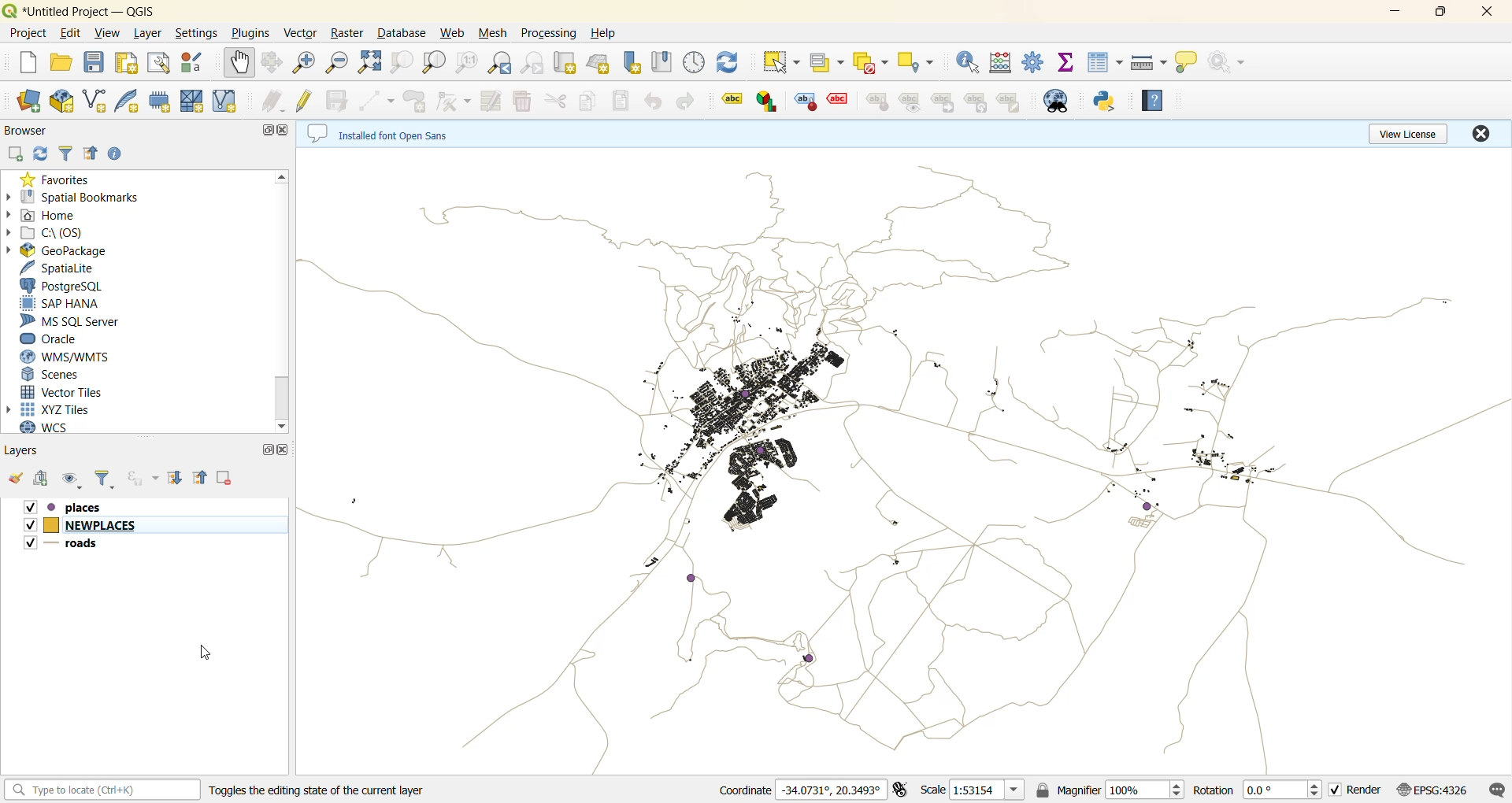 The image size is (1512, 803). Describe the element at coordinates (43, 154) in the screenshot. I see `refresh` at that location.